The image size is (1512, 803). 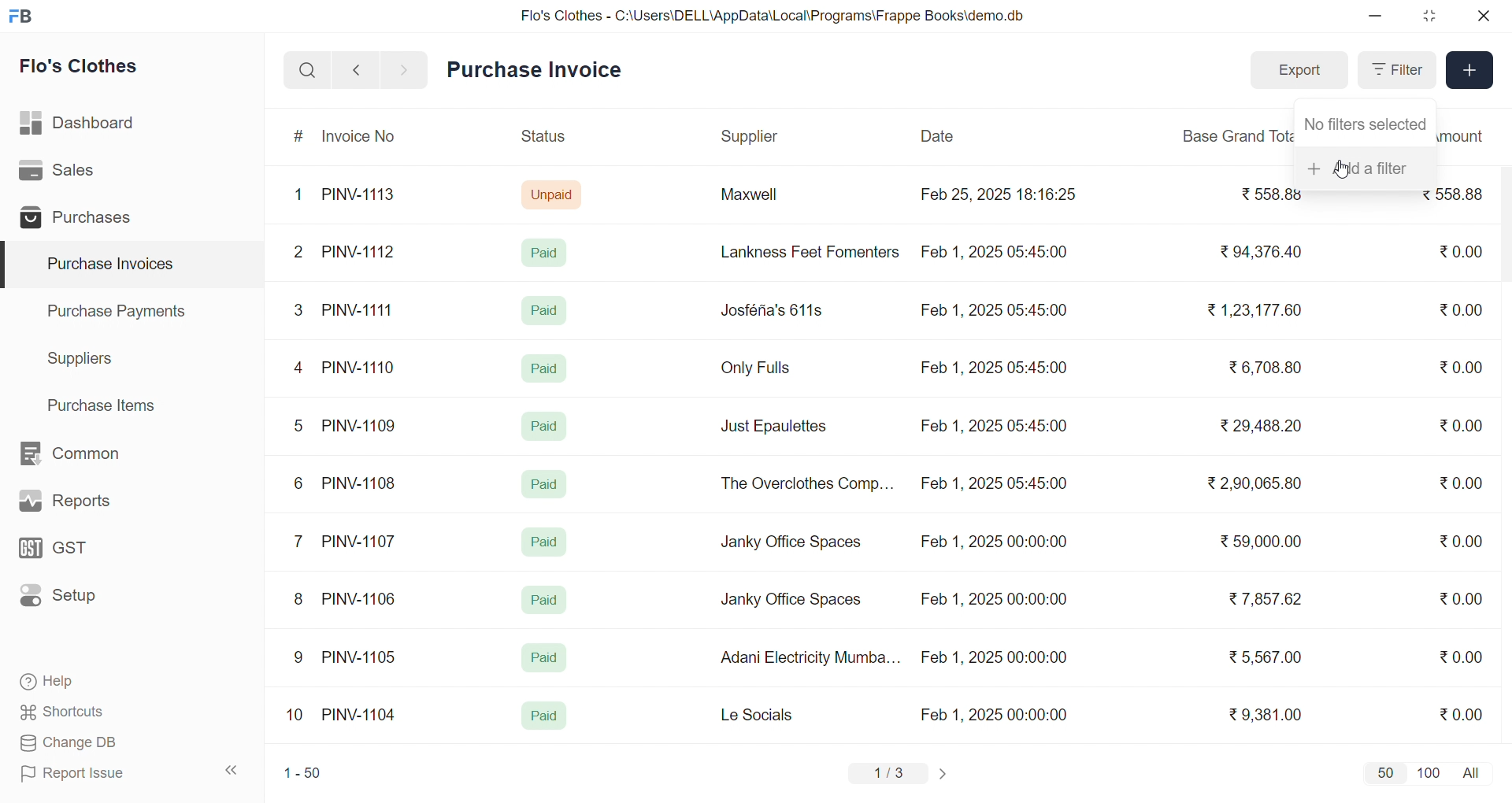 What do you see at coordinates (361, 715) in the screenshot?
I see `PINV-1104` at bounding box center [361, 715].